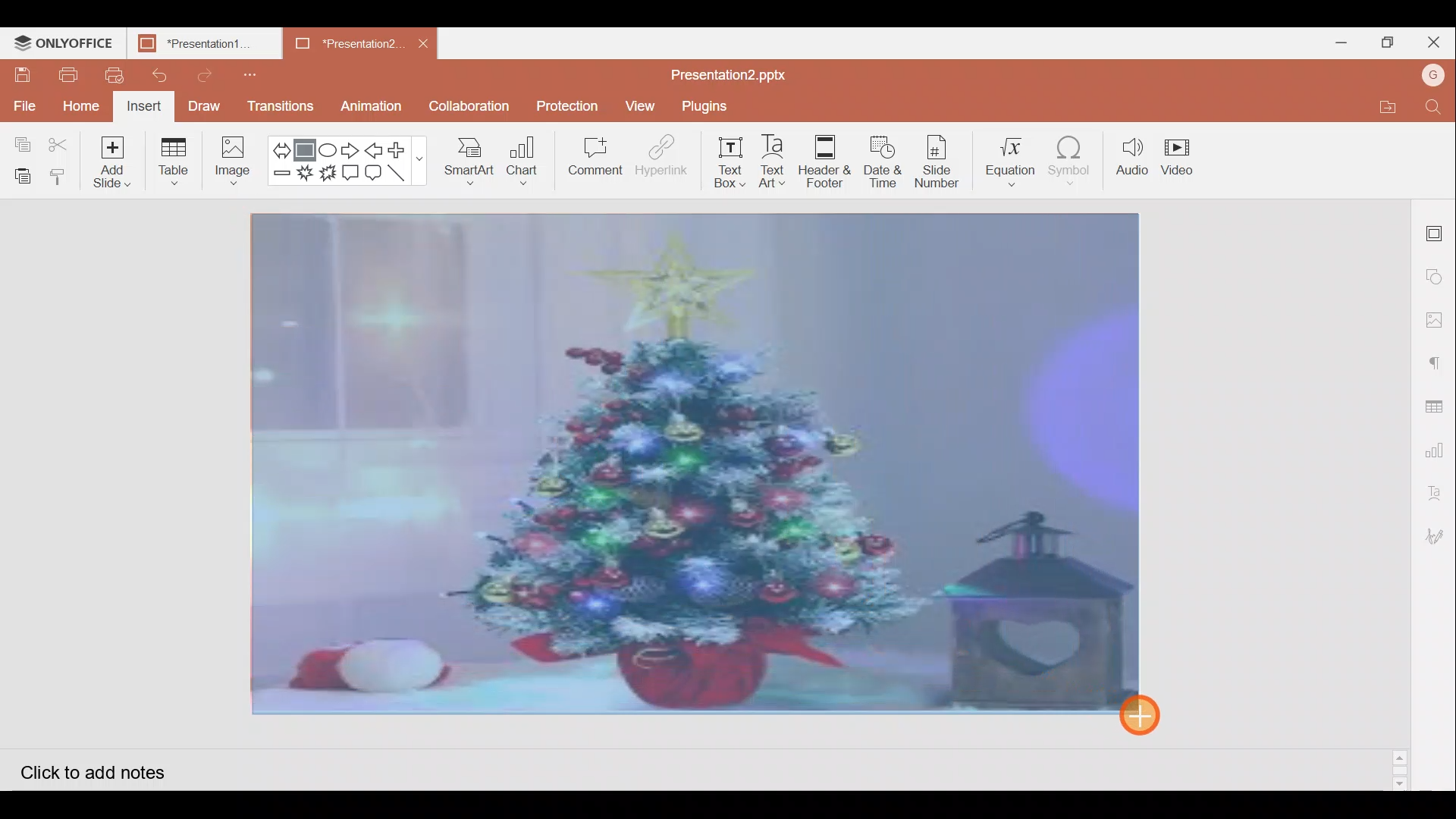 The image size is (1456, 819). Describe the element at coordinates (883, 161) in the screenshot. I see `Date & time` at that location.